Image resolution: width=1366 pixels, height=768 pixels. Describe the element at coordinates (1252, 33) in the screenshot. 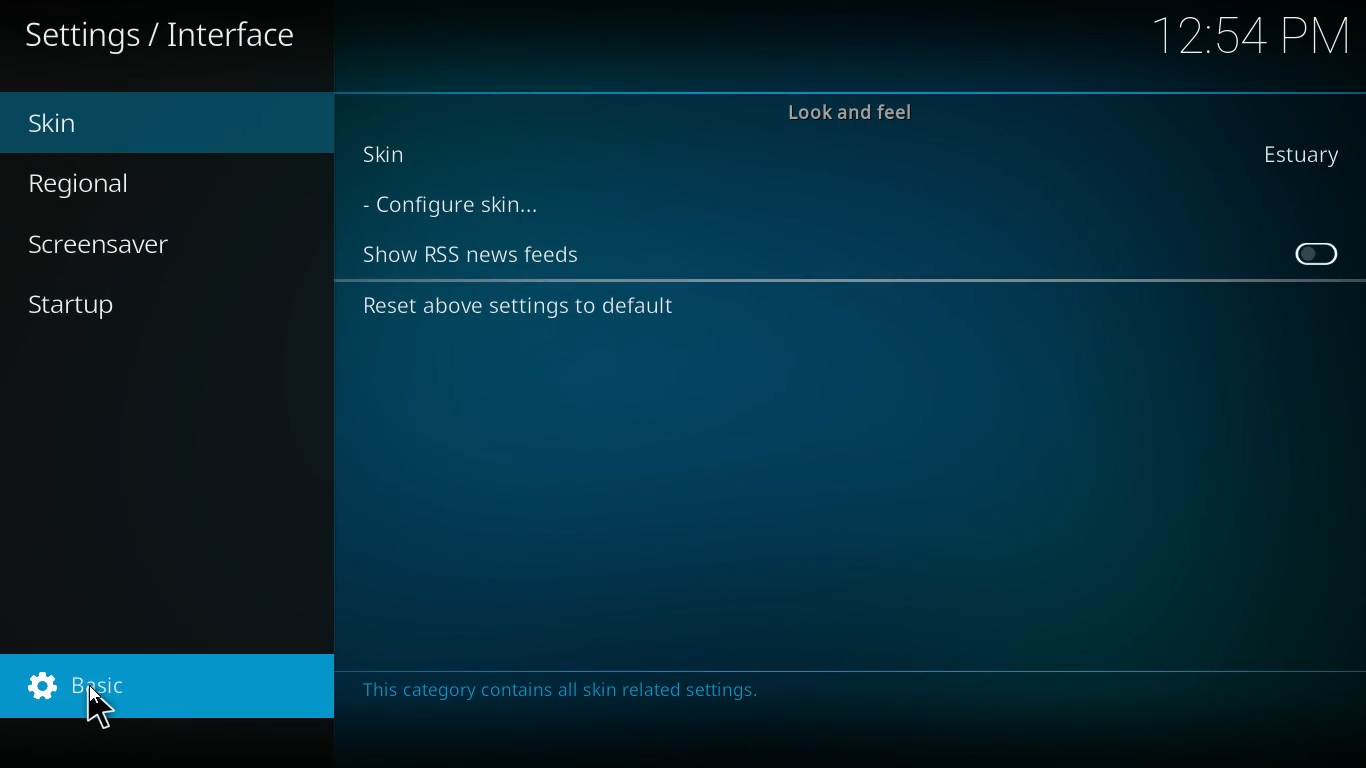

I see `time` at that location.